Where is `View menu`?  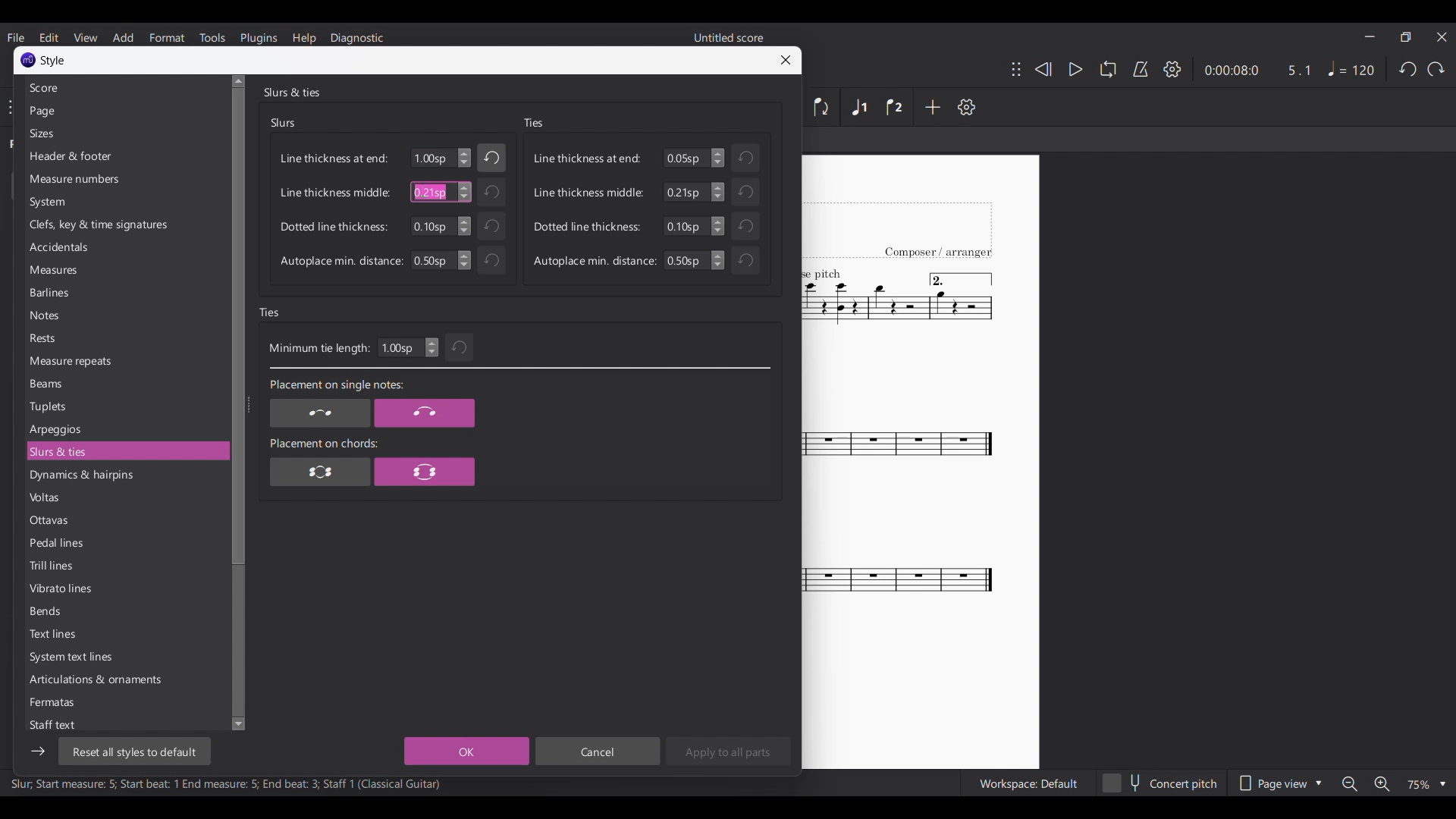 View menu is located at coordinates (86, 37).